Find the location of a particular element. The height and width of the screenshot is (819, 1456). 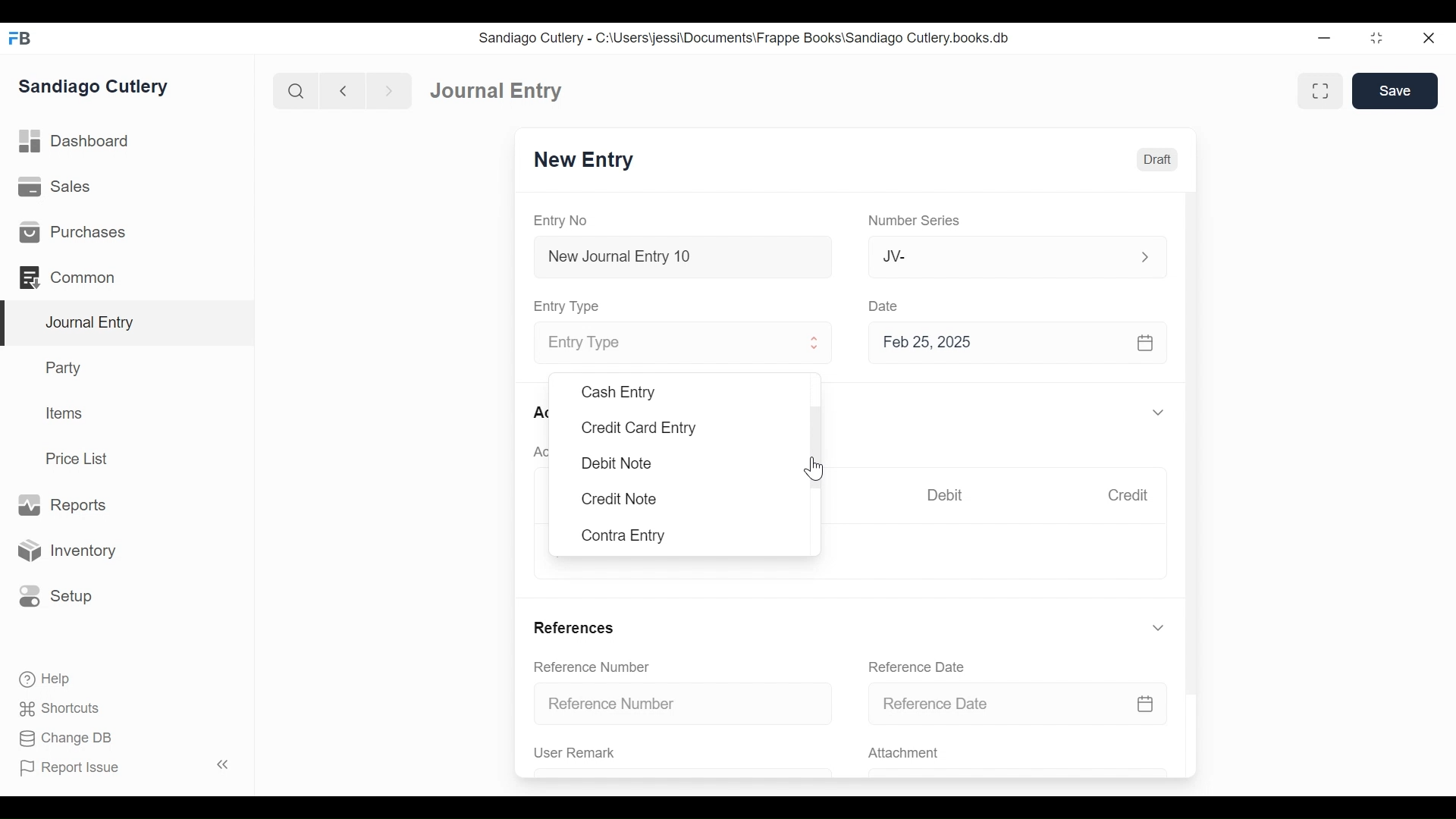

Minimize is located at coordinates (1326, 39).